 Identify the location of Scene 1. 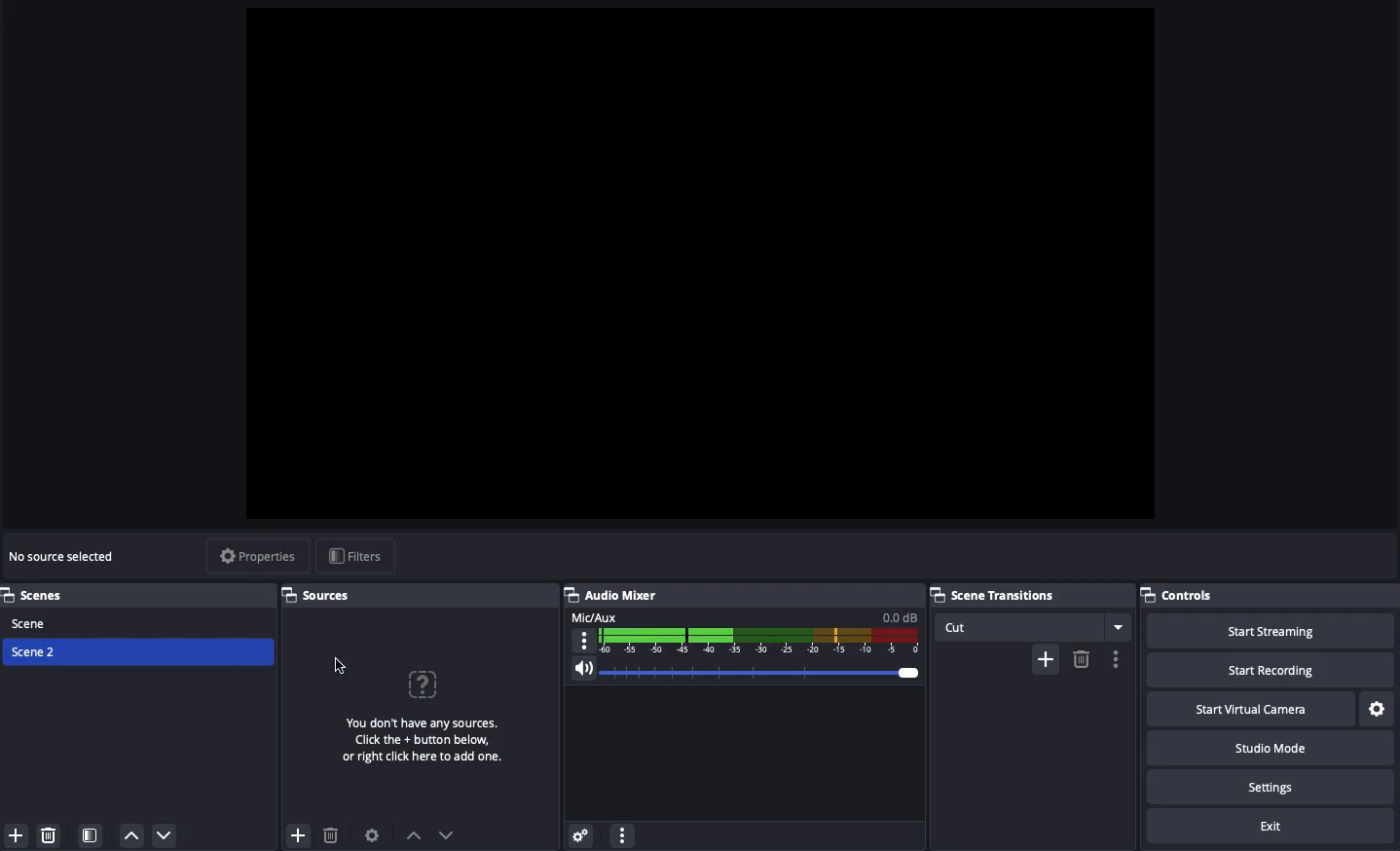
(32, 622).